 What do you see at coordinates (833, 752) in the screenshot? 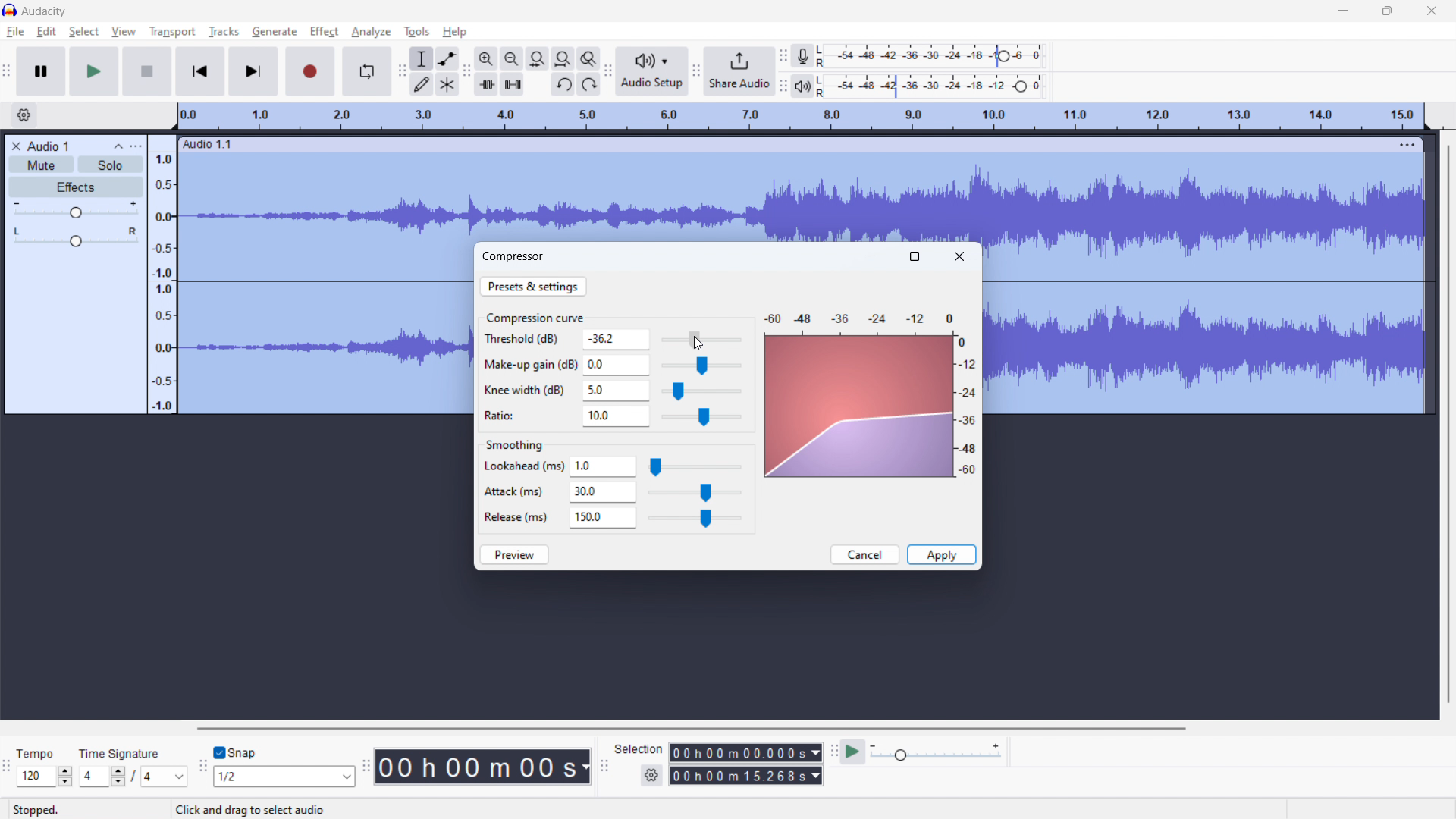
I see `play at speed toolbar` at bounding box center [833, 752].